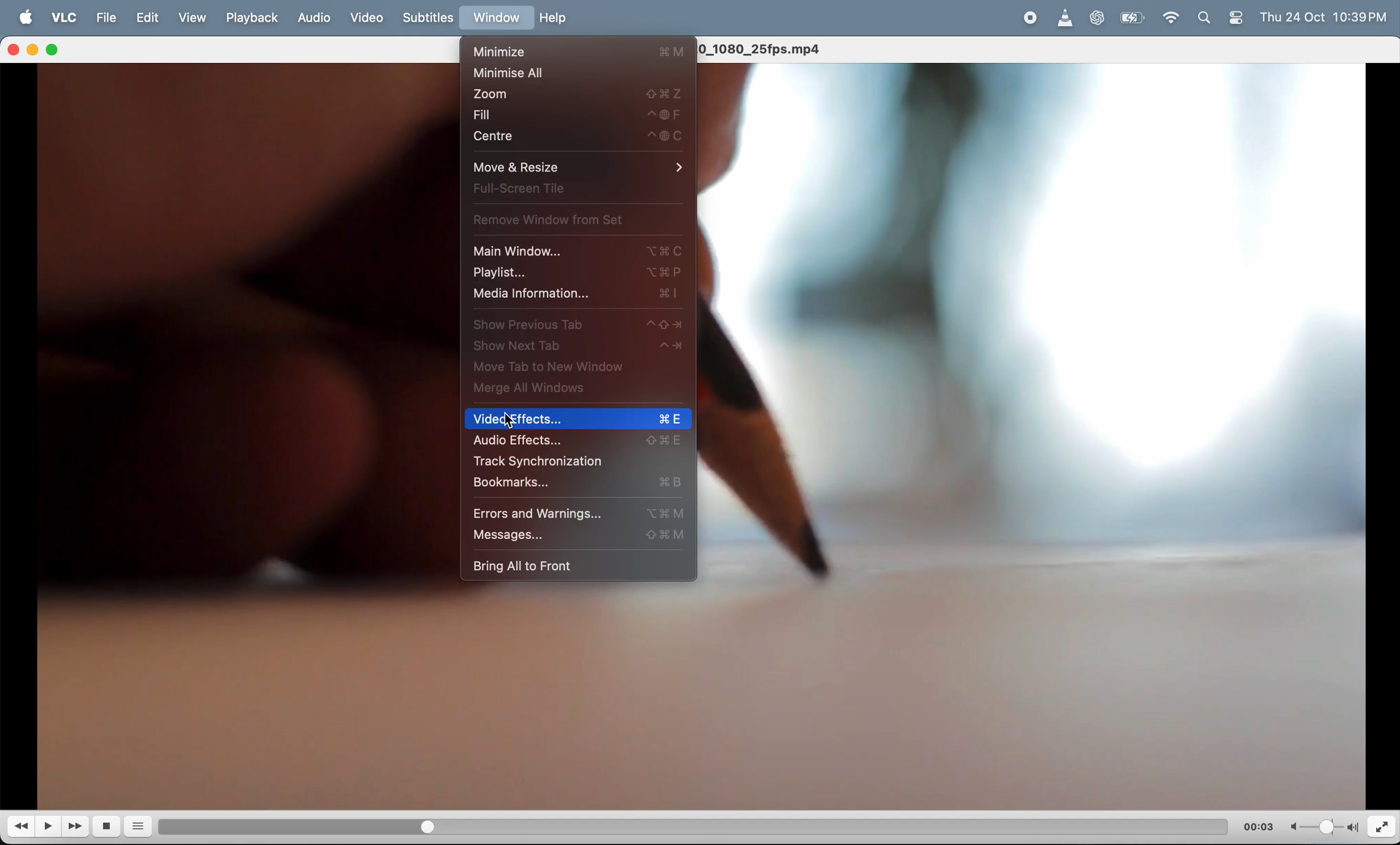 This screenshot has height=845, width=1400. I want to click on close, so click(15, 49).